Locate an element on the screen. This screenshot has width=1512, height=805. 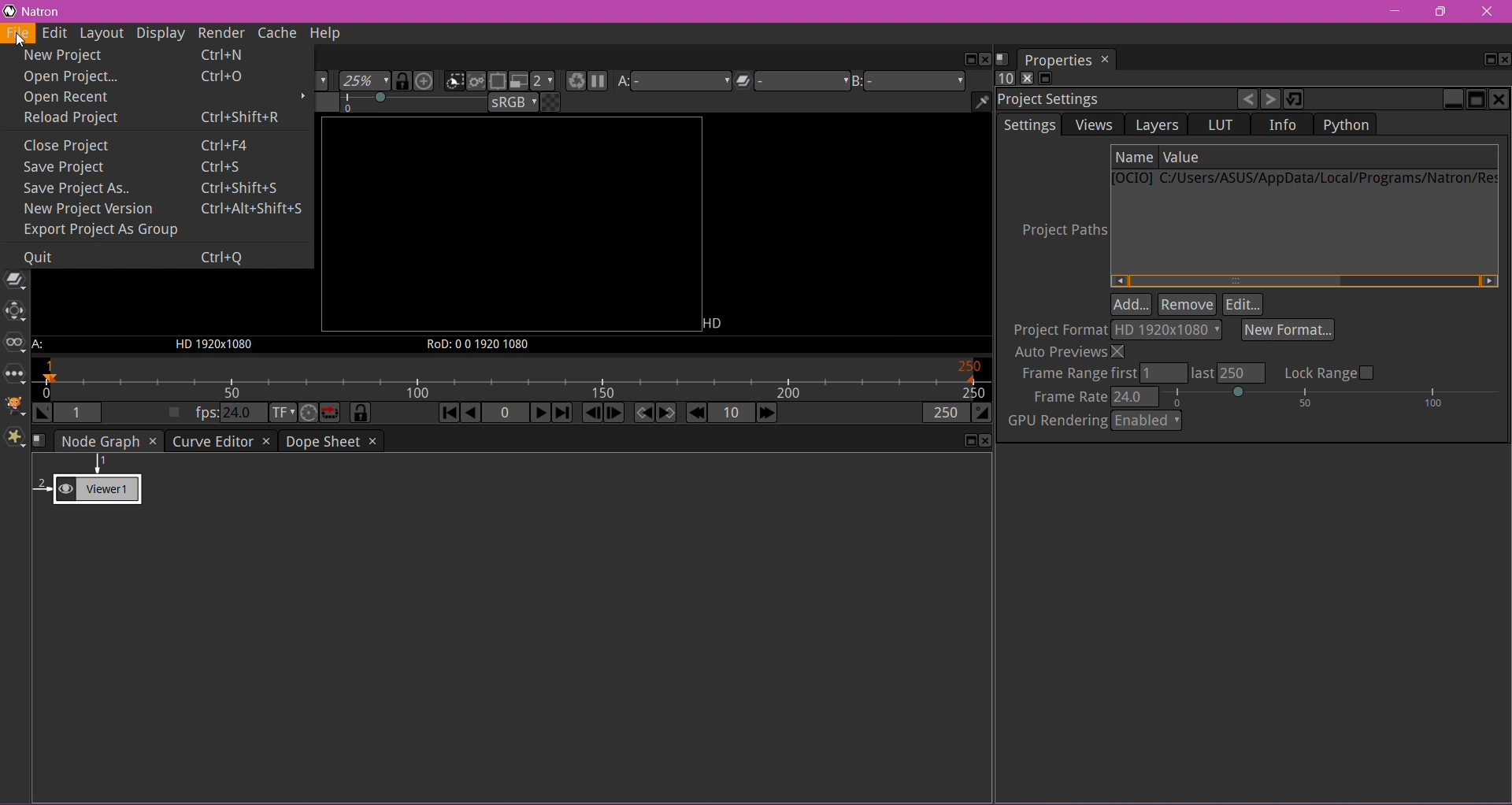
Proxy mode is located at coordinates (519, 81).